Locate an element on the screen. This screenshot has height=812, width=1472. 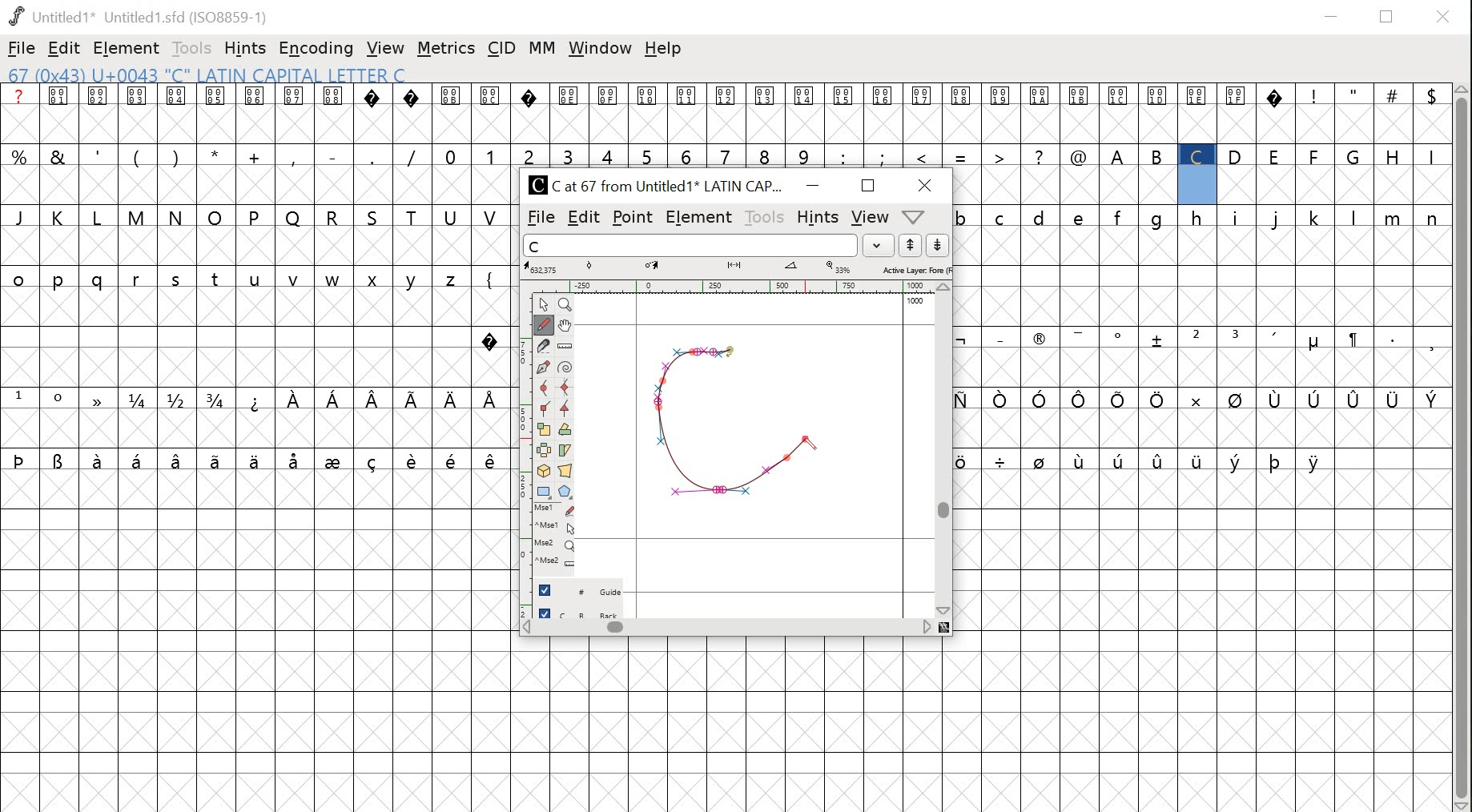
mouse left button is located at coordinates (557, 510).